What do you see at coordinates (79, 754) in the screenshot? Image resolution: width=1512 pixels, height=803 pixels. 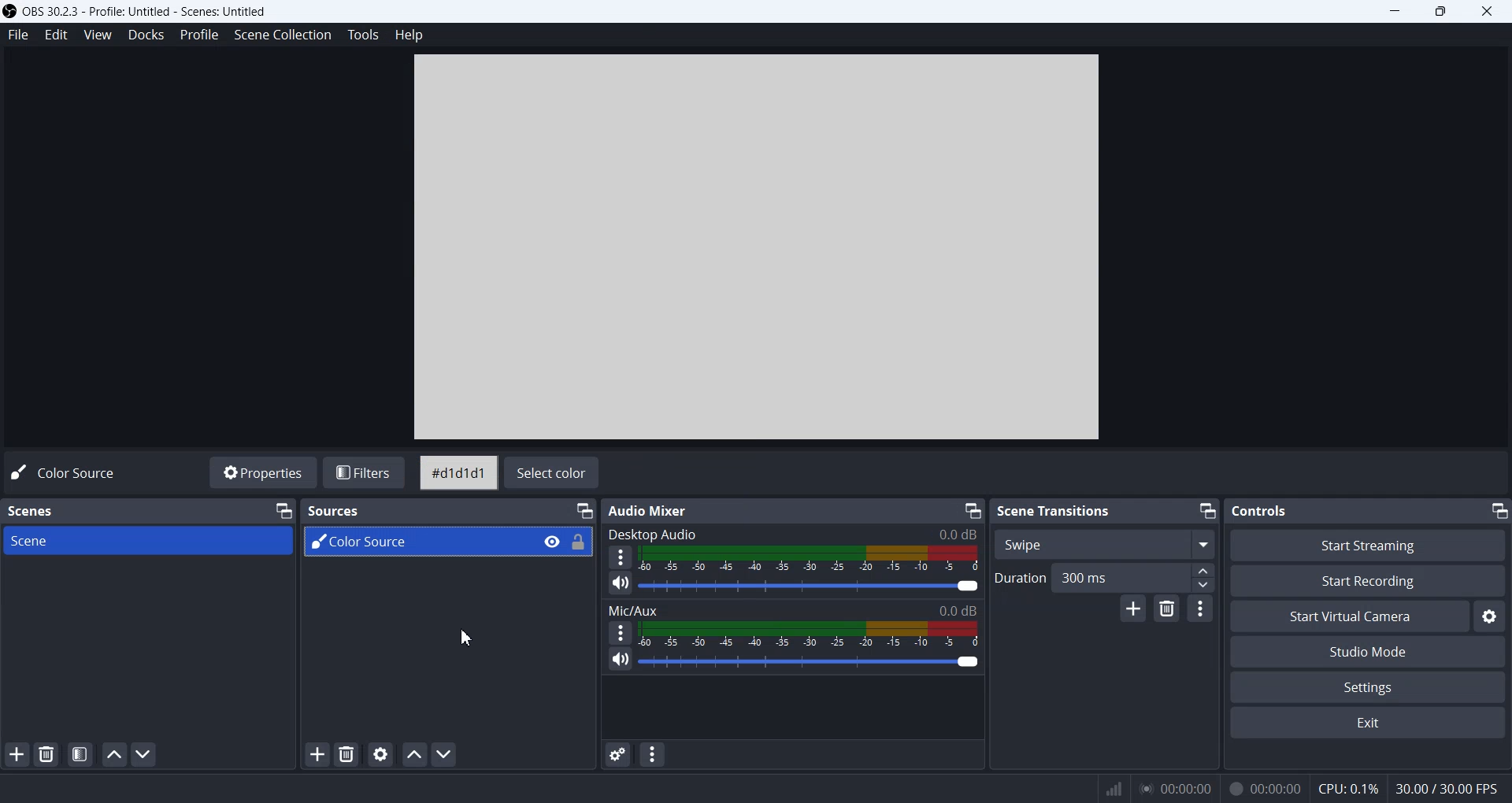 I see `Open Scene Filters` at bounding box center [79, 754].